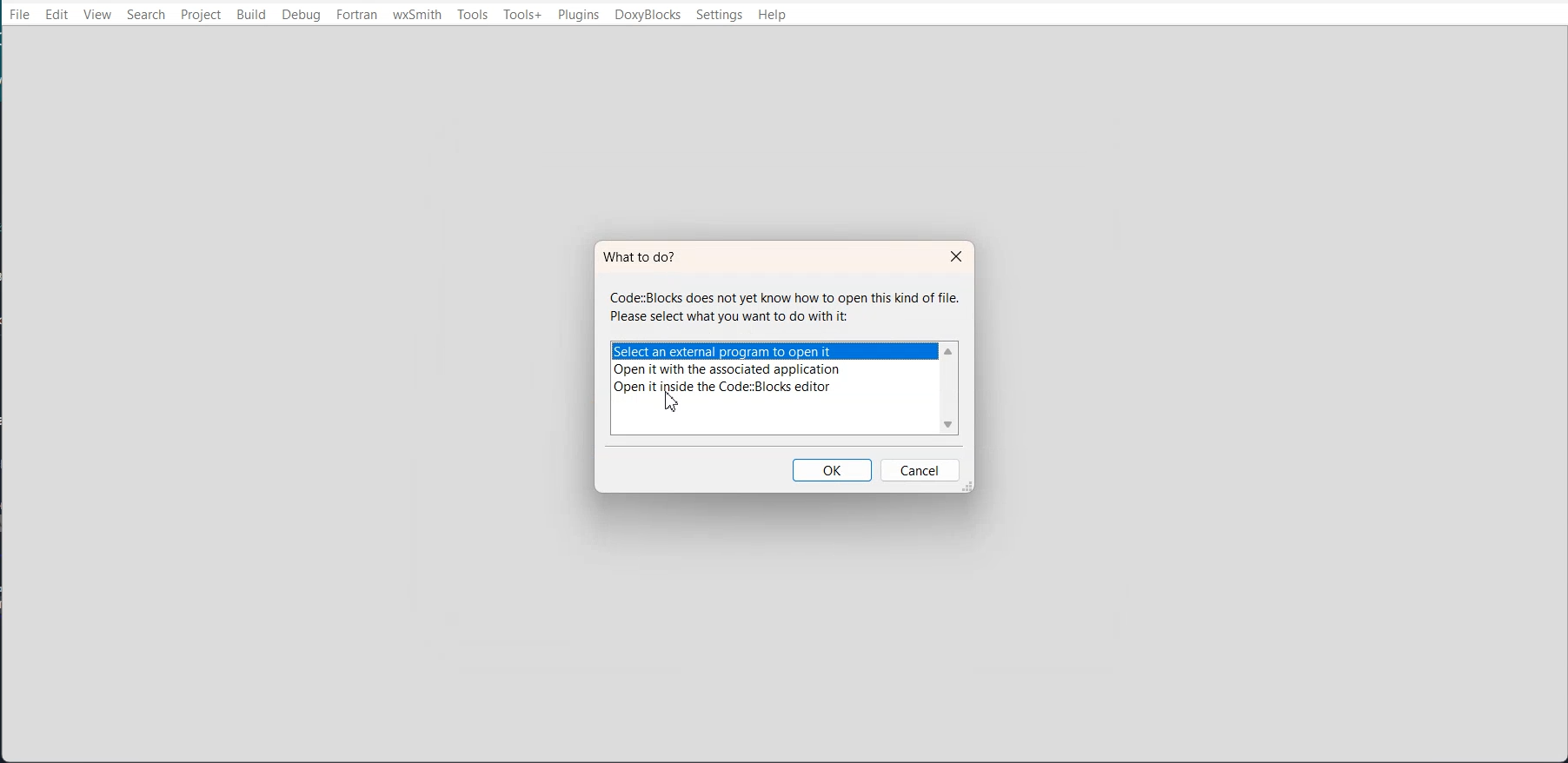  What do you see at coordinates (100, 14) in the screenshot?
I see `View` at bounding box center [100, 14].